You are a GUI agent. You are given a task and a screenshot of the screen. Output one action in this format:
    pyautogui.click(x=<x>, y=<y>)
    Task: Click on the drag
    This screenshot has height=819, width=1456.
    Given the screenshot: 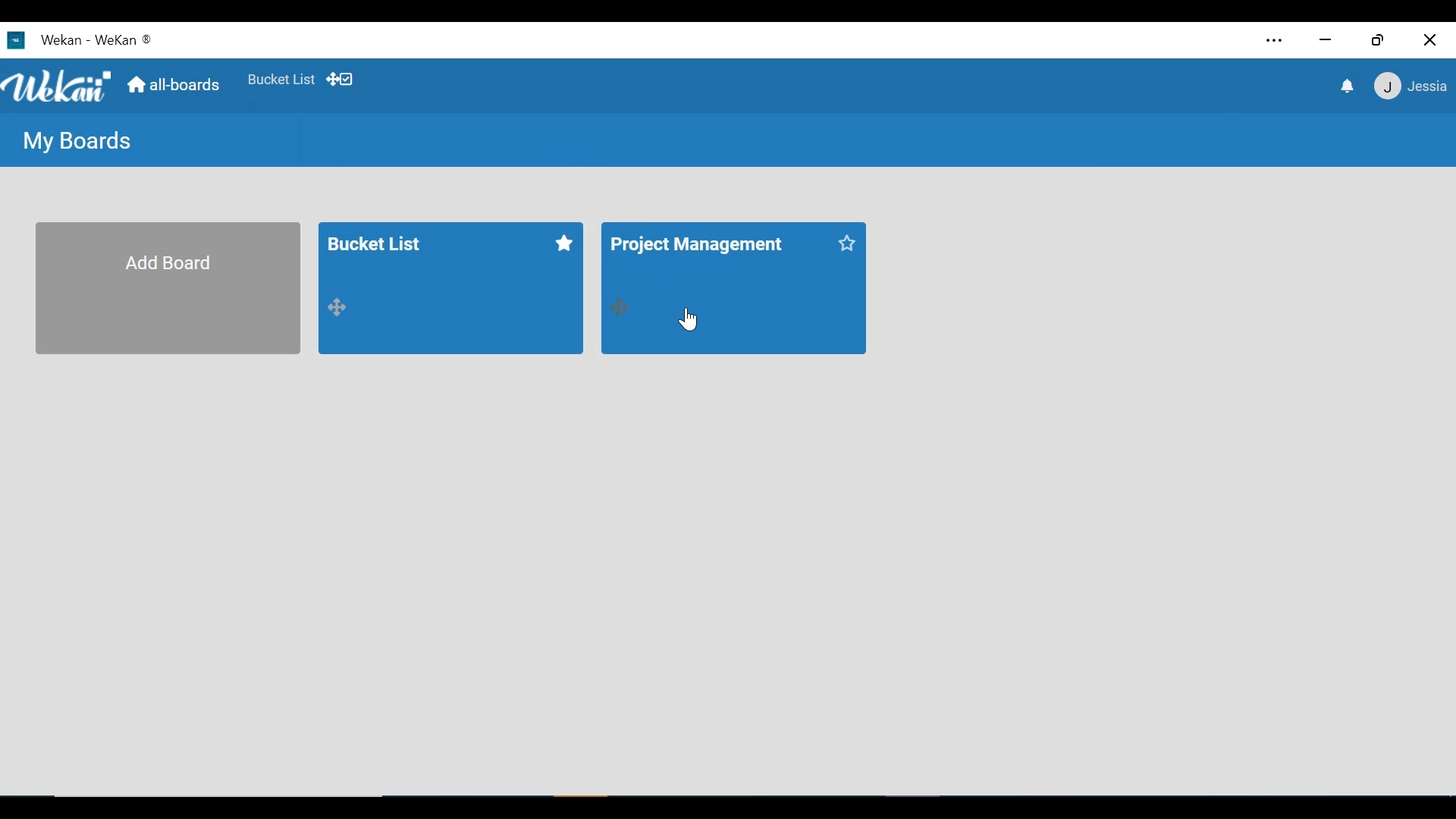 What is the action you would take?
    pyautogui.click(x=617, y=305)
    